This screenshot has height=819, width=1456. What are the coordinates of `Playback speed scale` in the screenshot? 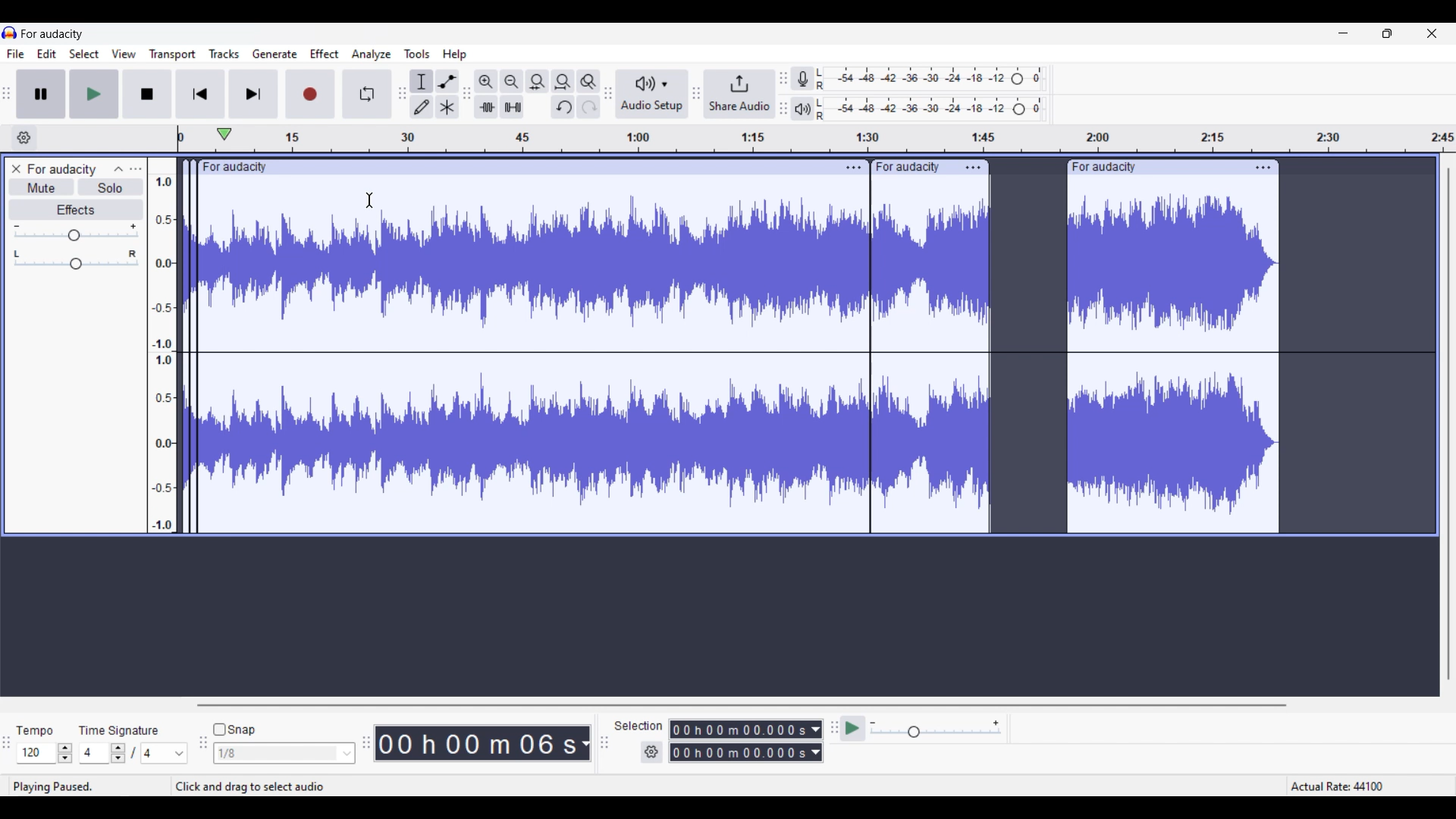 It's located at (937, 730).